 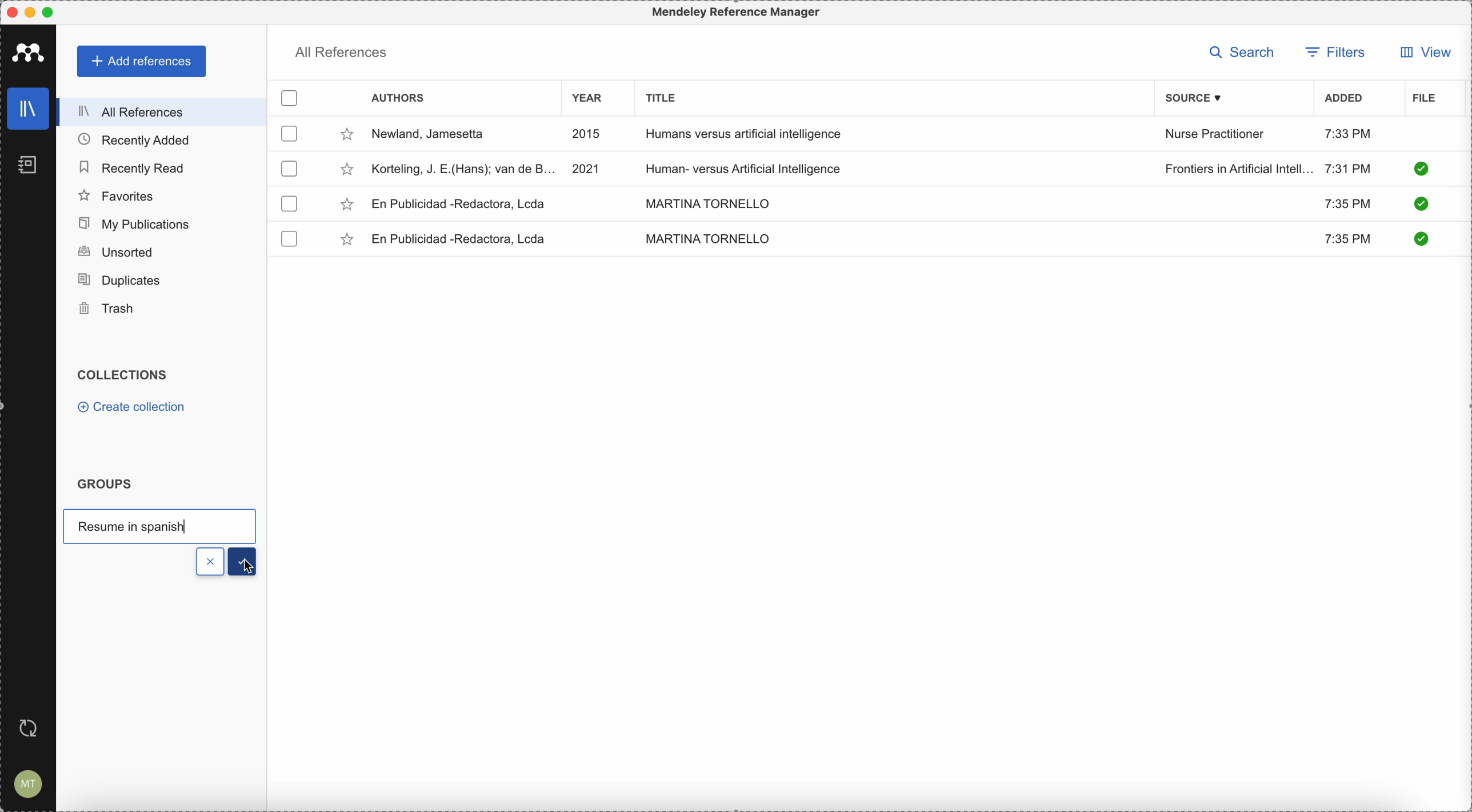 I want to click on authors, so click(x=398, y=99).